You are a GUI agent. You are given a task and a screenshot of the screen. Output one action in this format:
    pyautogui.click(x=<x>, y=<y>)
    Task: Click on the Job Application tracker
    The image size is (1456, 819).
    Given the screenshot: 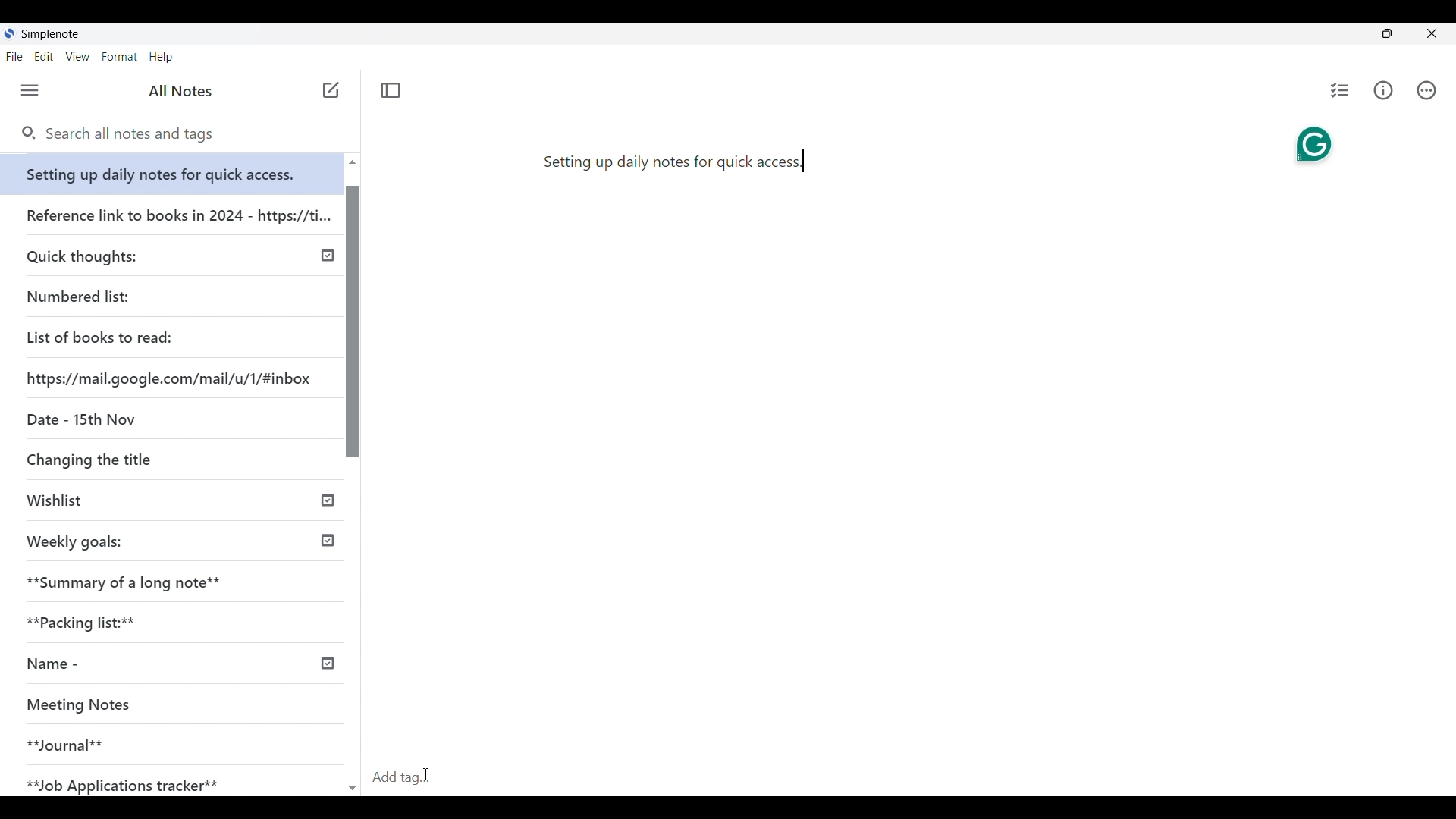 What is the action you would take?
    pyautogui.click(x=174, y=774)
    